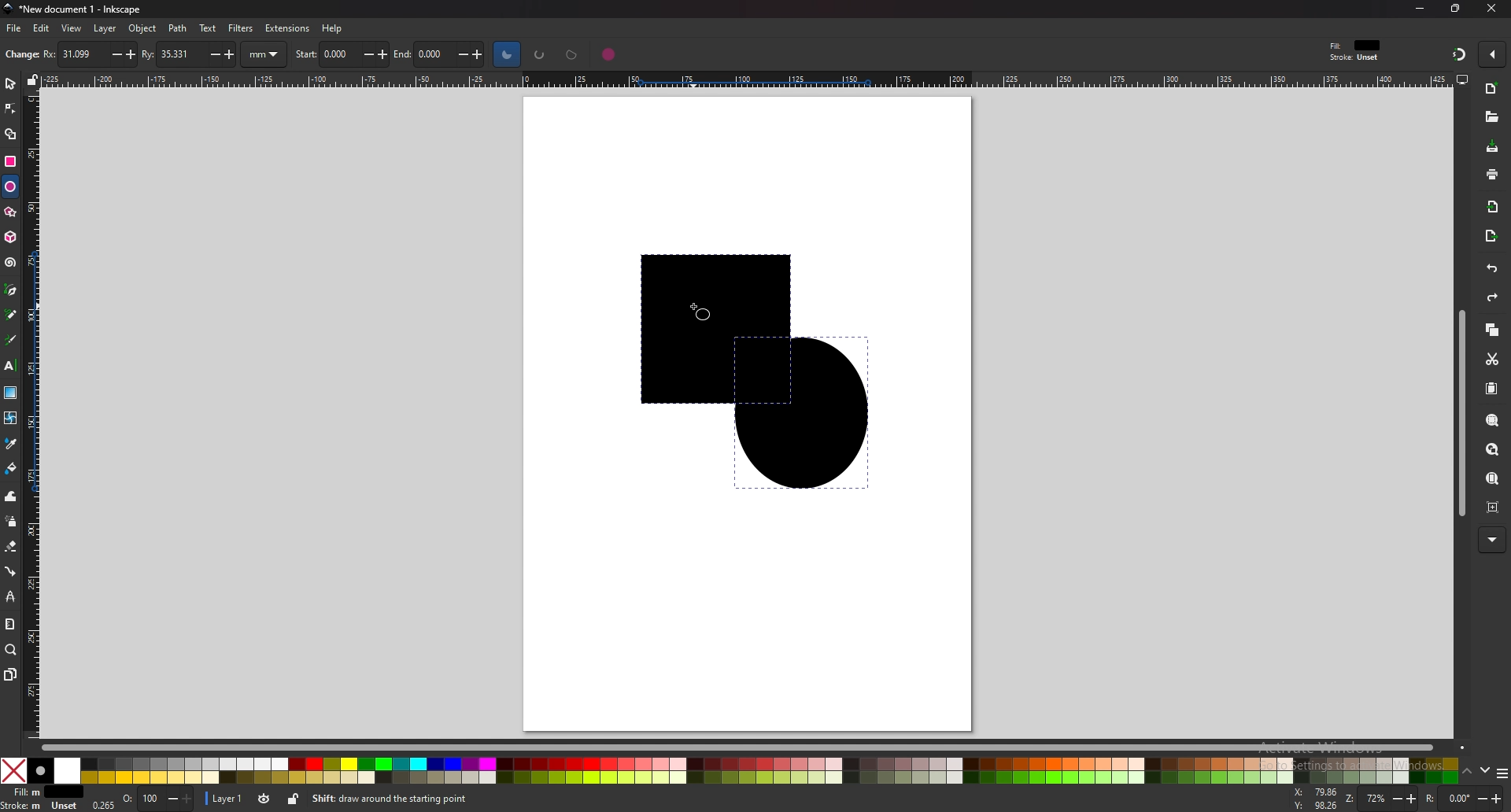  Describe the element at coordinates (179, 28) in the screenshot. I see `path` at that location.